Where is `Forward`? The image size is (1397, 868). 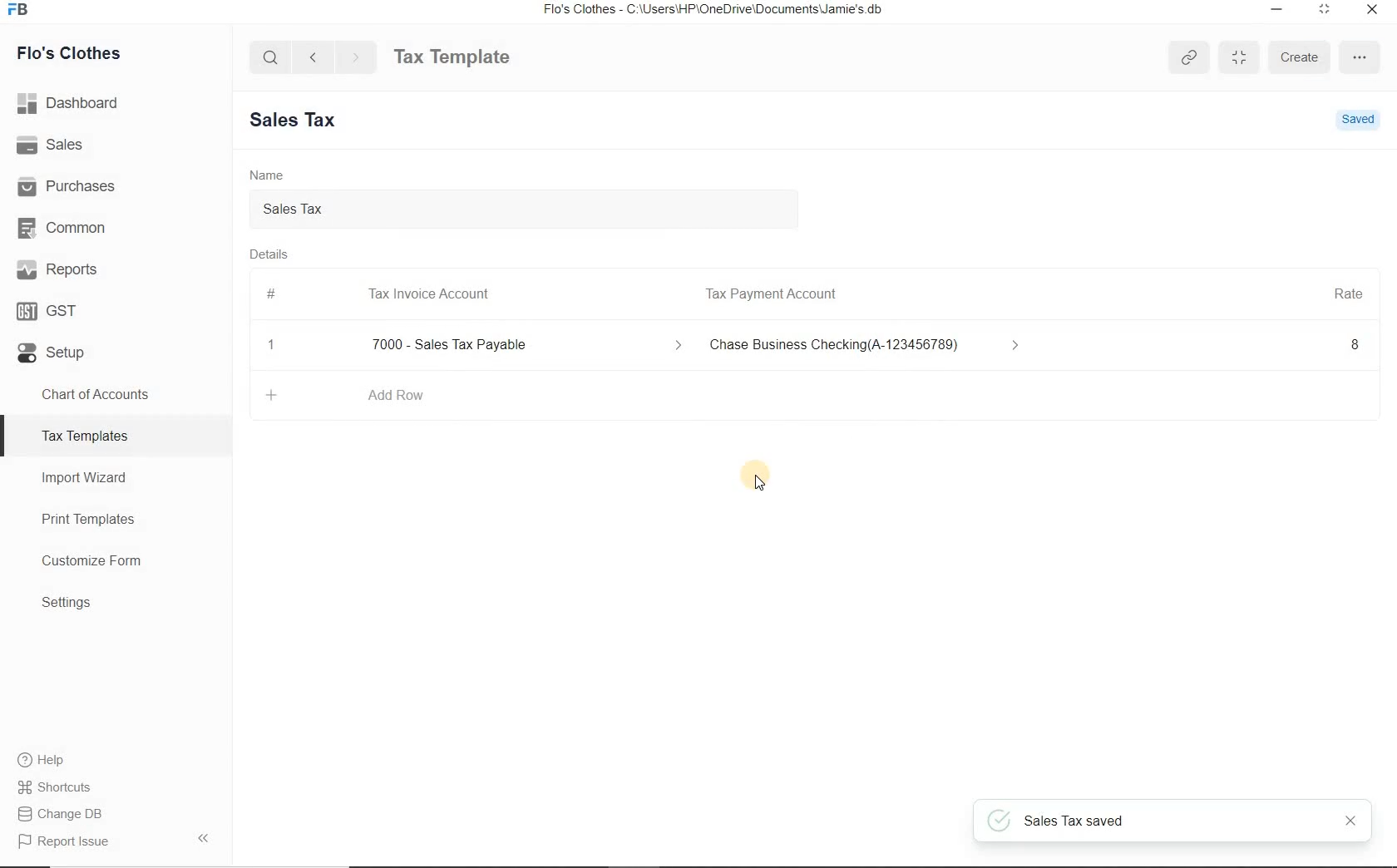 Forward is located at coordinates (357, 57).